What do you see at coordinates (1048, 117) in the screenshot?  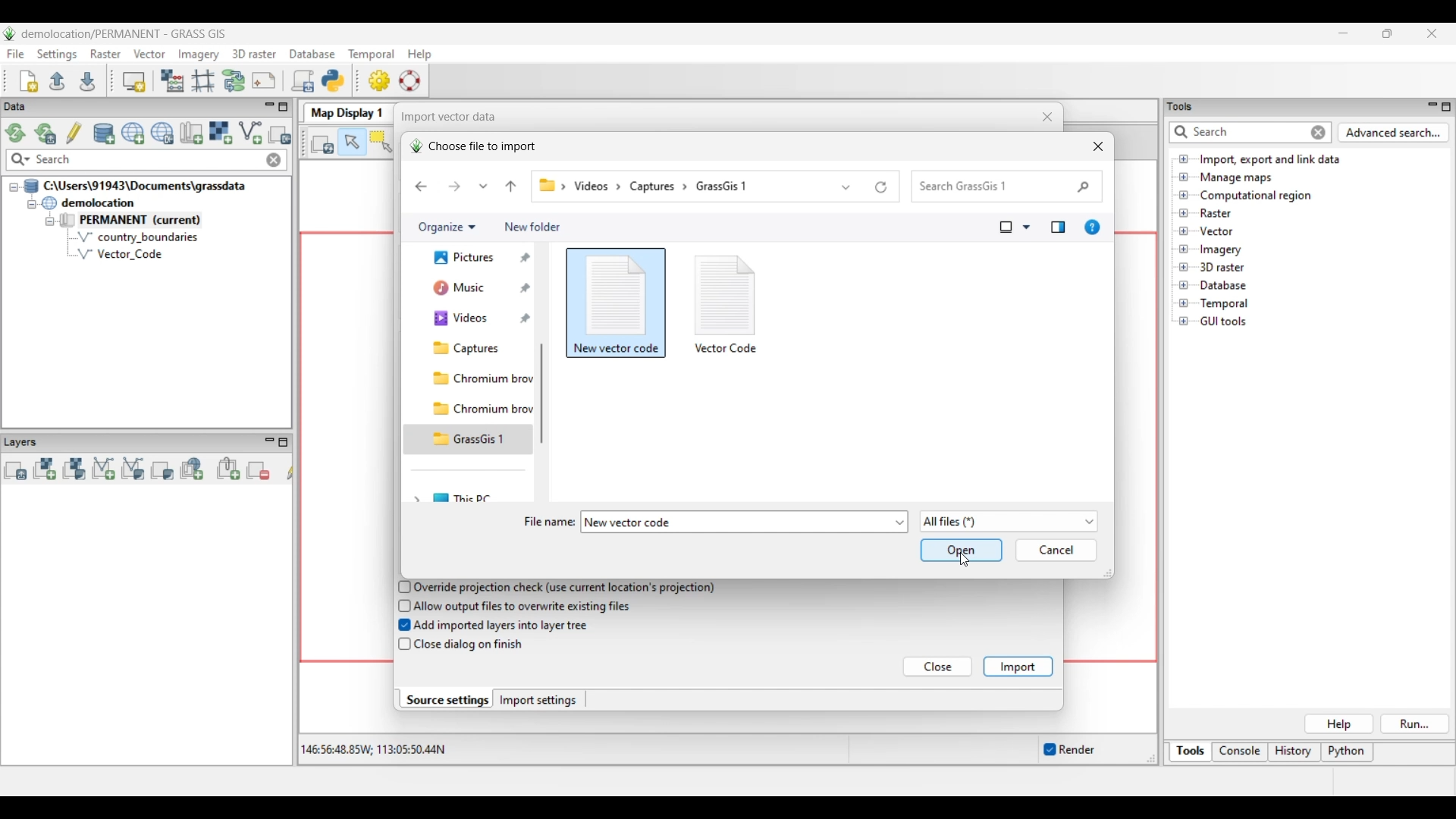 I see `Close window` at bounding box center [1048, 117].